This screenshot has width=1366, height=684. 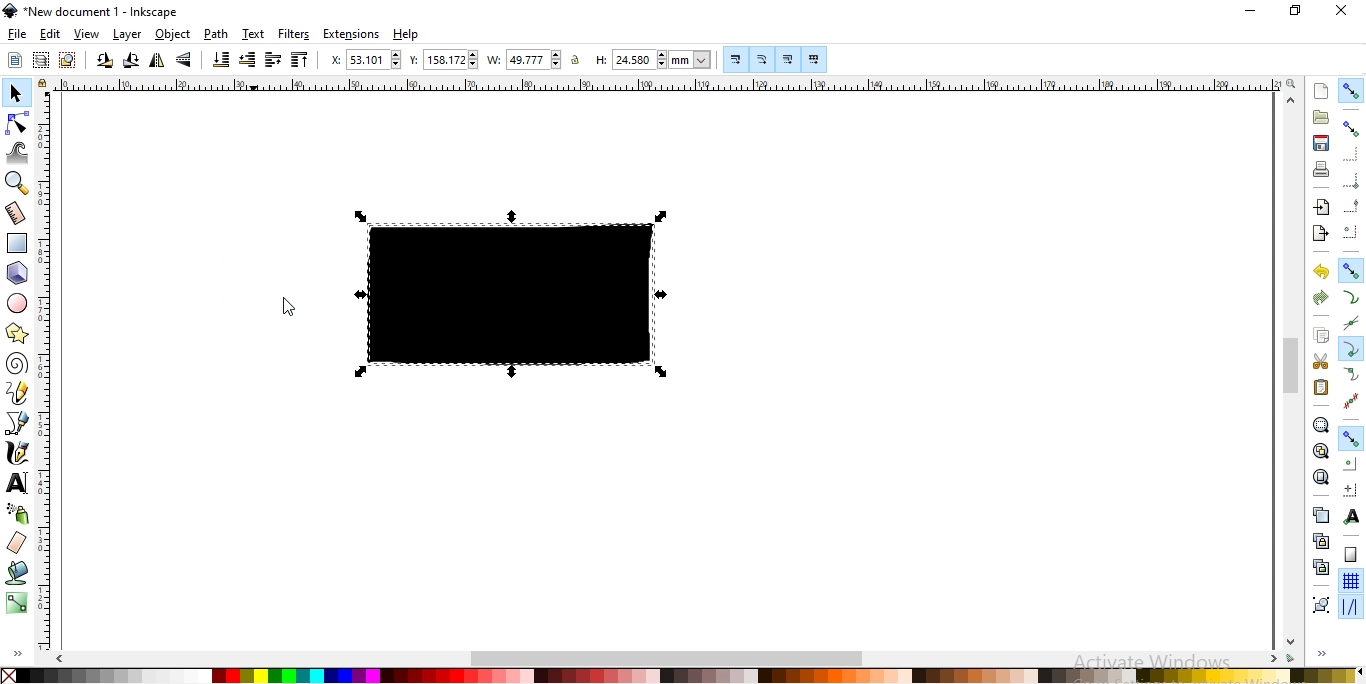 What do you see at coordinates (529, 296) in the screenshot?
I see `image` at bounding box center [529, 296].